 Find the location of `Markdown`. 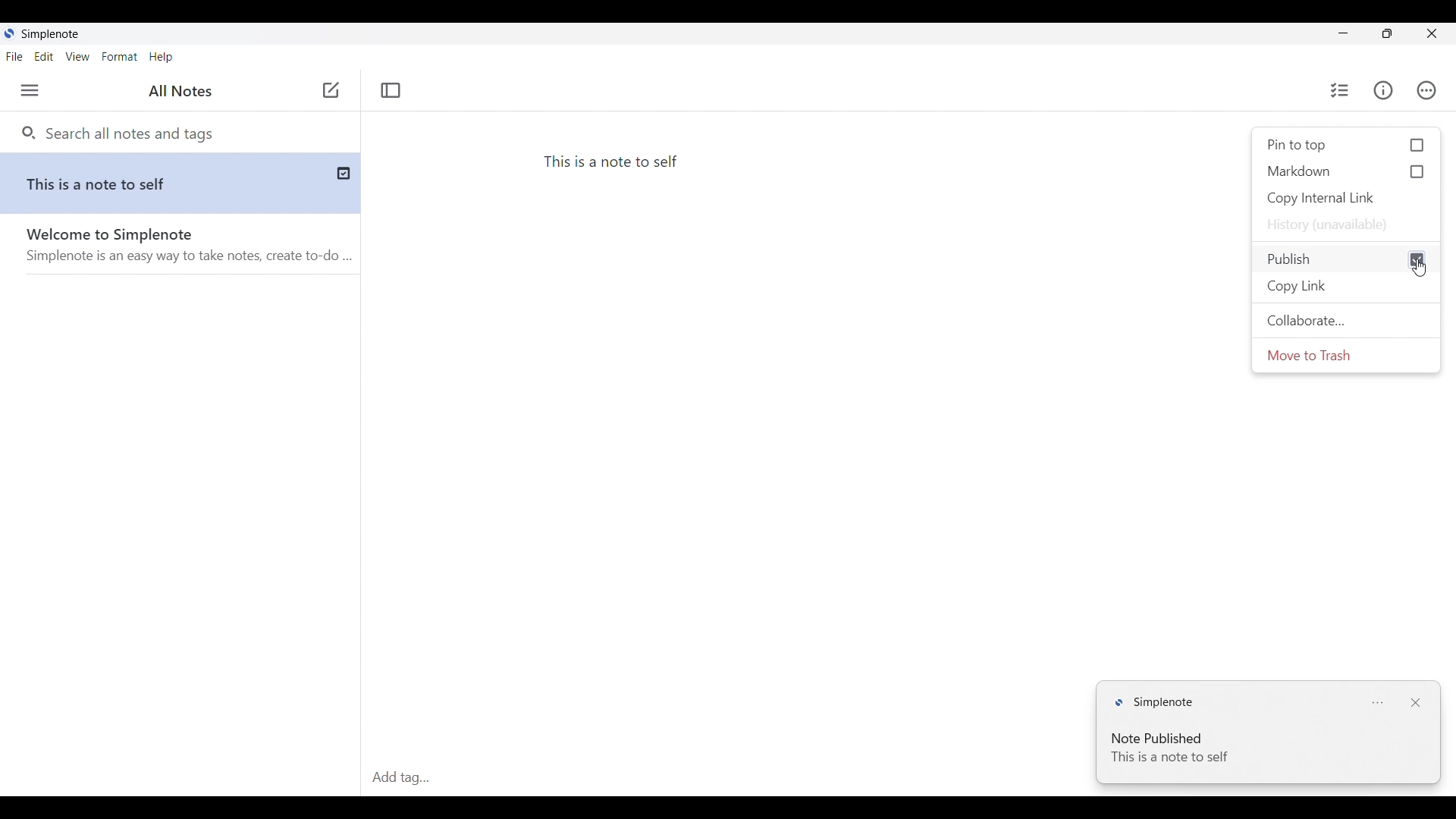

Markdown is located at coordinates (1347, 171).